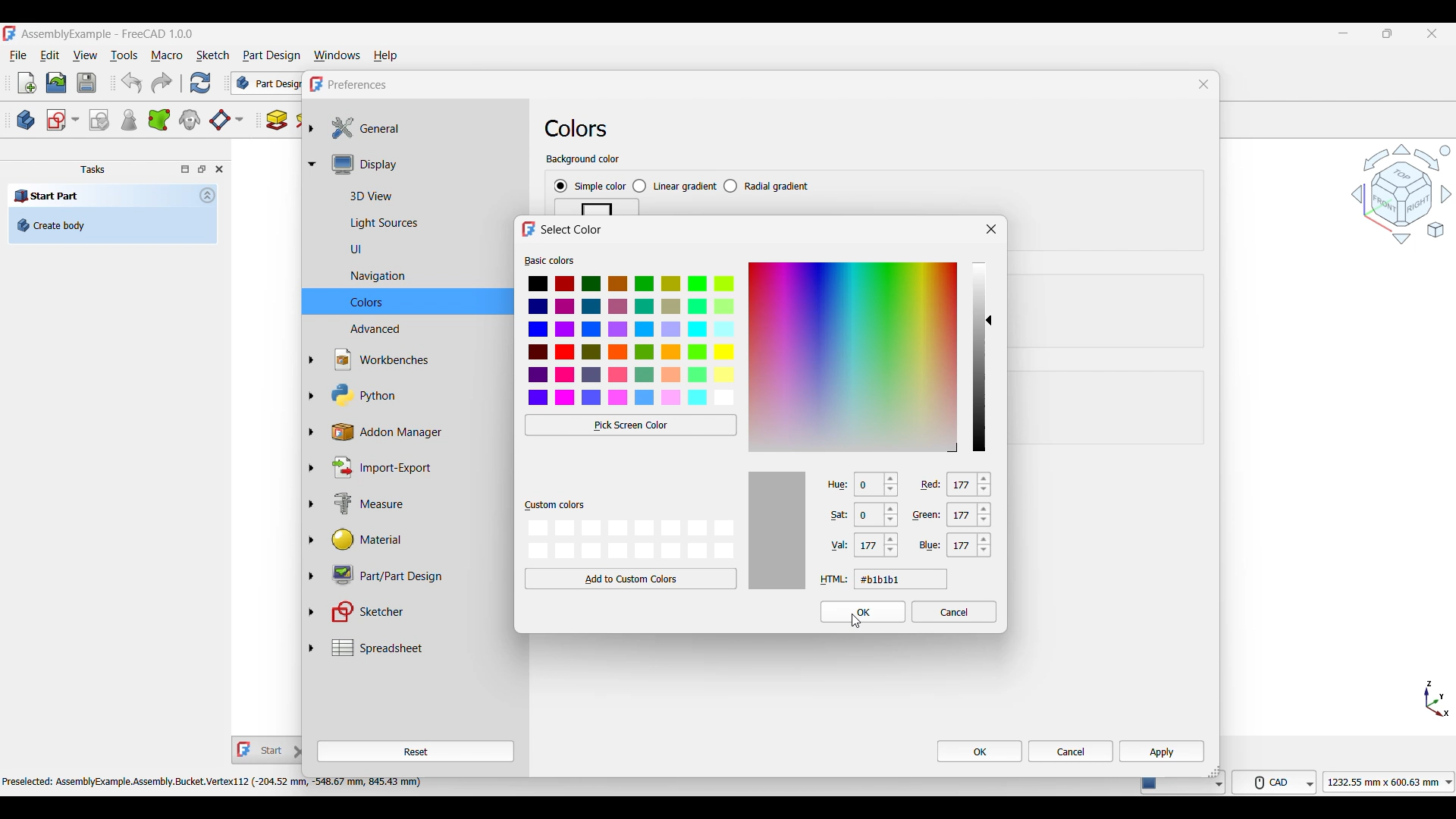 The height and width of the screenshot is (819, 1456). I want to click on red, so click(933, 483).